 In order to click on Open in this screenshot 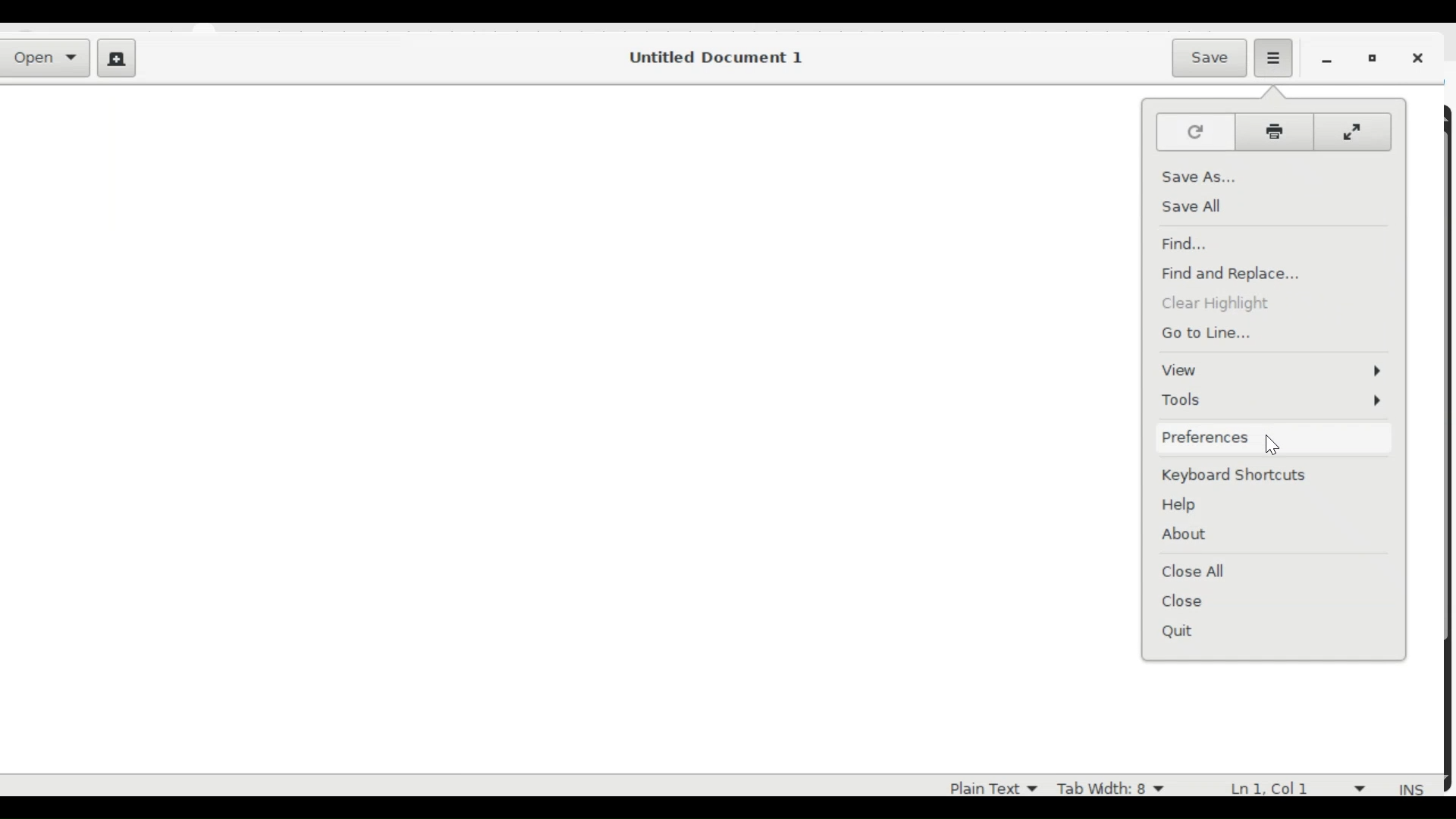, I will do `click(49, 59)`.